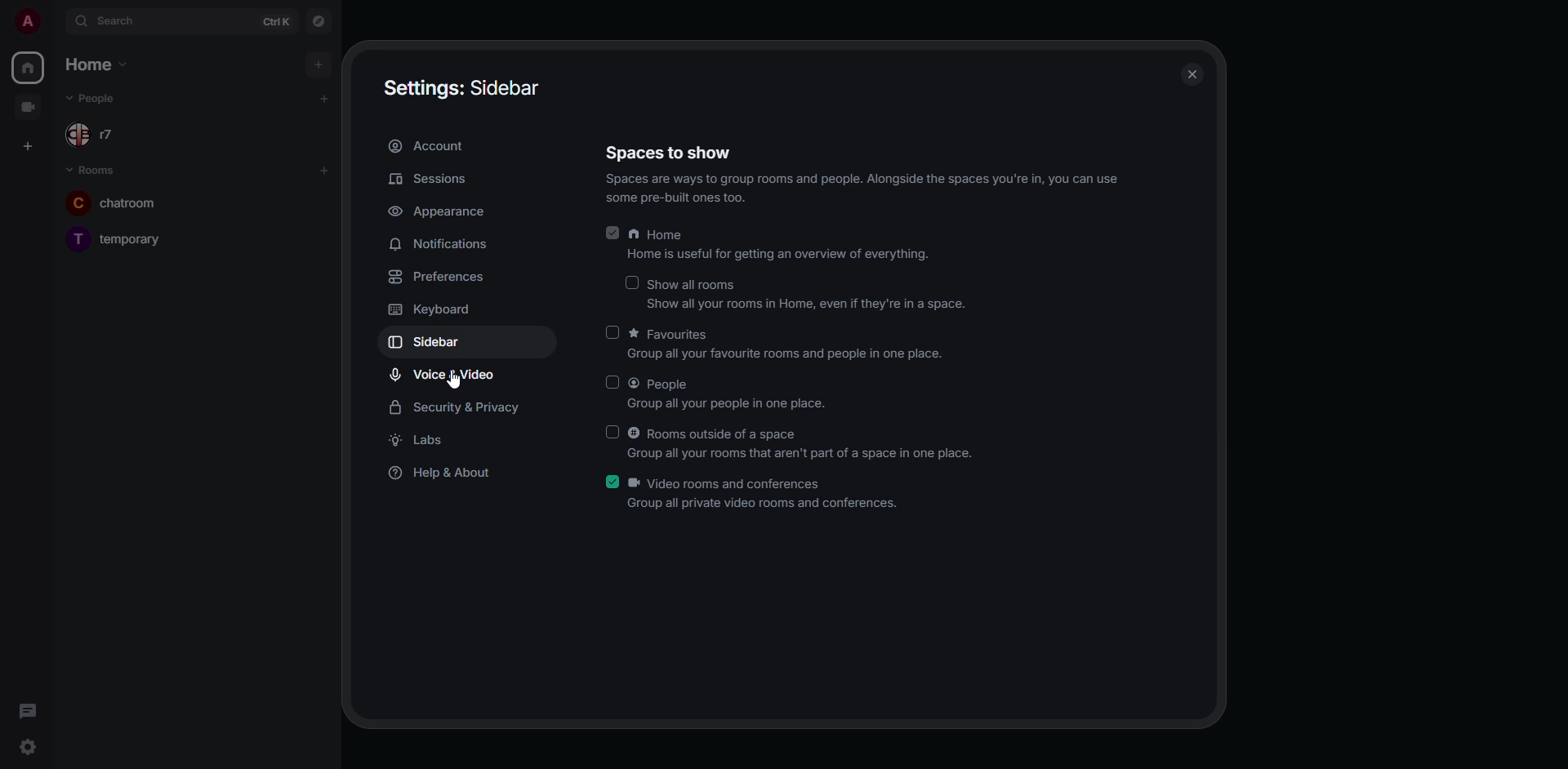  Describe the element at coordinates (611, 231) in the screenshot. I see `enabled` at that location.